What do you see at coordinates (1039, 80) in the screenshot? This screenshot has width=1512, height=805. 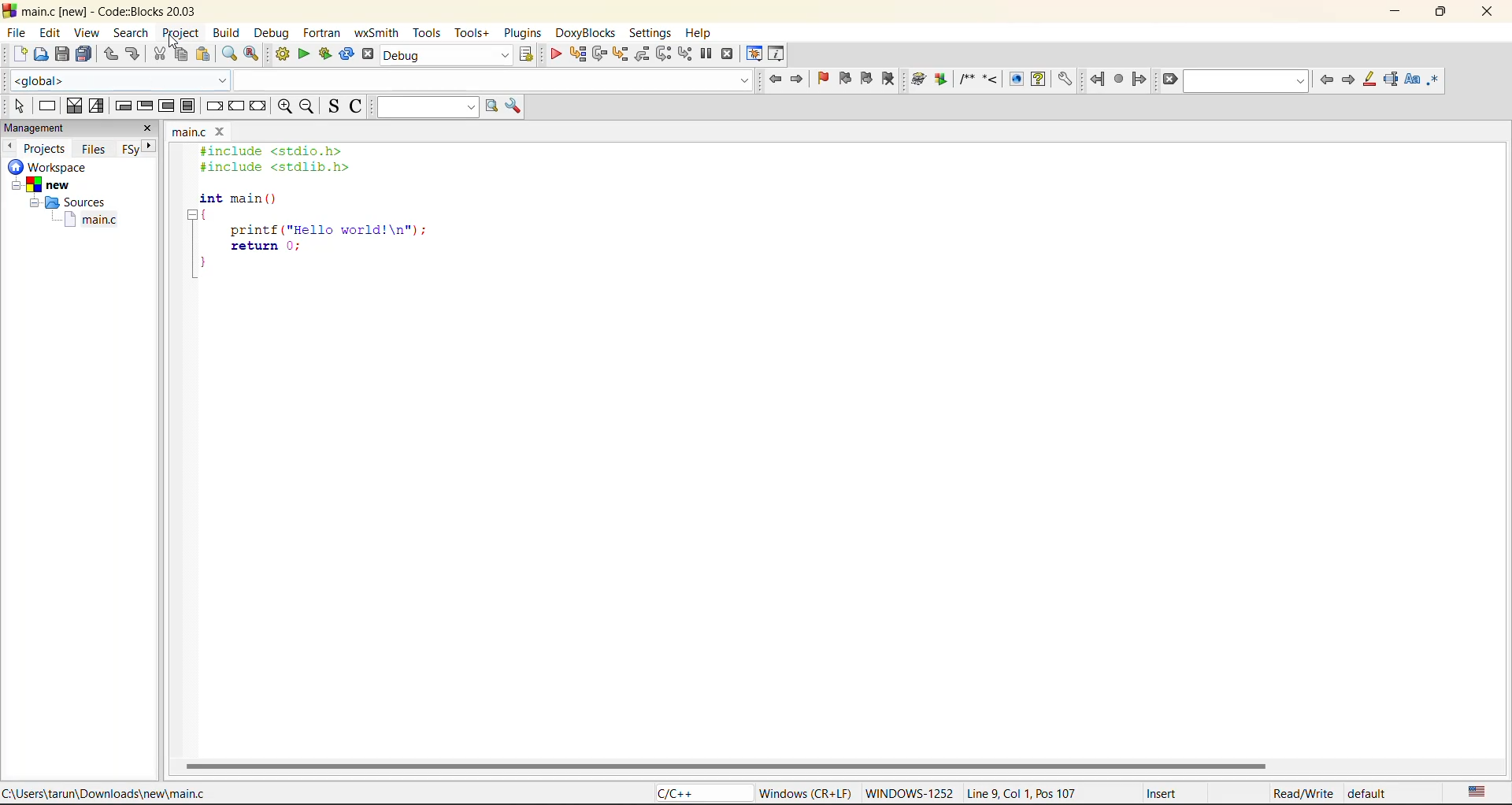 I see `Run HTML Help documentation` at bounding box center [1039, 80].